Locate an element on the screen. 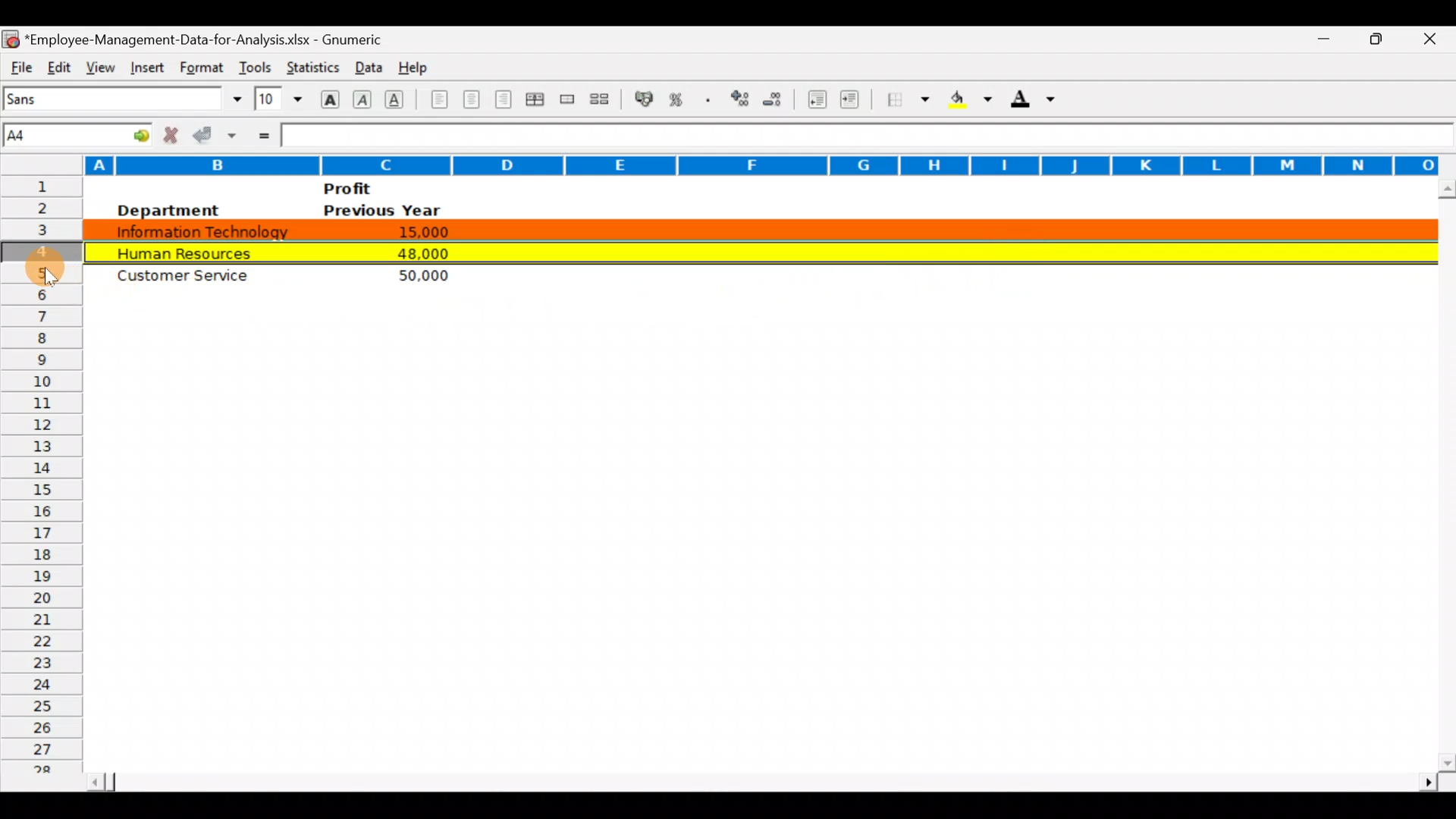  Foreground is located at coordinates (1038, 104).